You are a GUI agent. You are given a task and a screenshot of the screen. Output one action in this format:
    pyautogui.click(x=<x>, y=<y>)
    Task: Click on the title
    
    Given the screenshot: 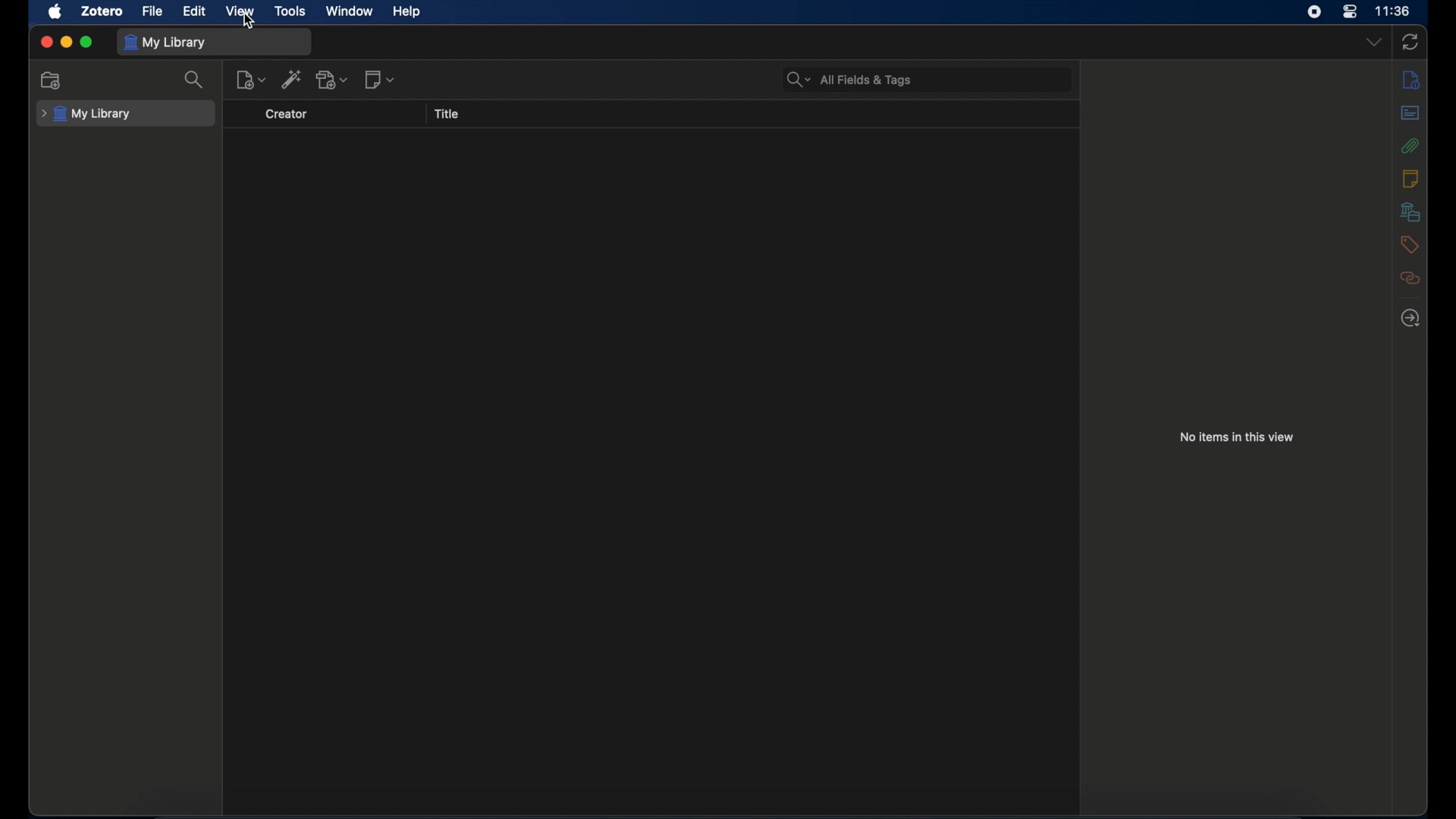 What is the action you would take?
    pyautogui.click(x=446, y=115)
    